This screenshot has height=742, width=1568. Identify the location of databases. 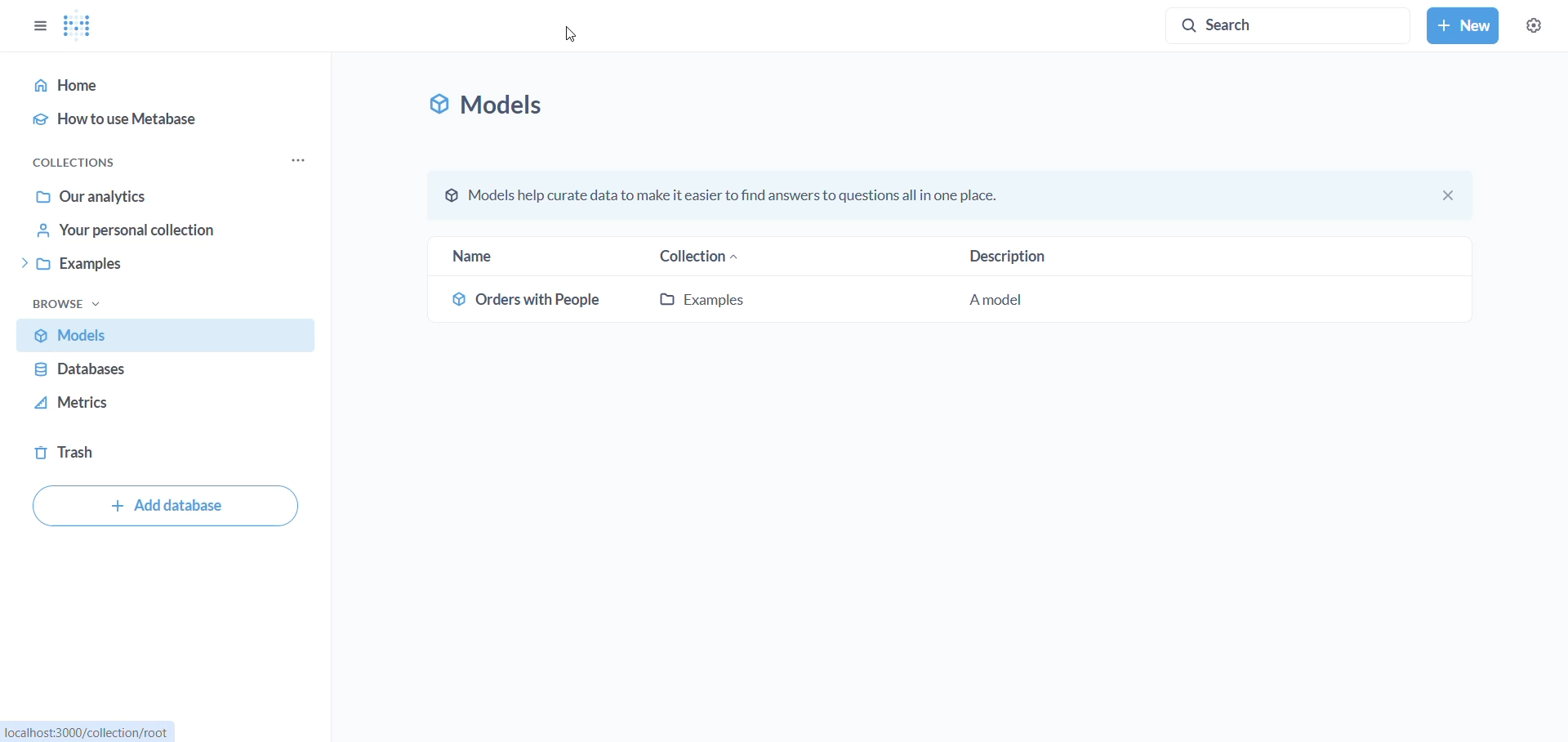
(160, 376).